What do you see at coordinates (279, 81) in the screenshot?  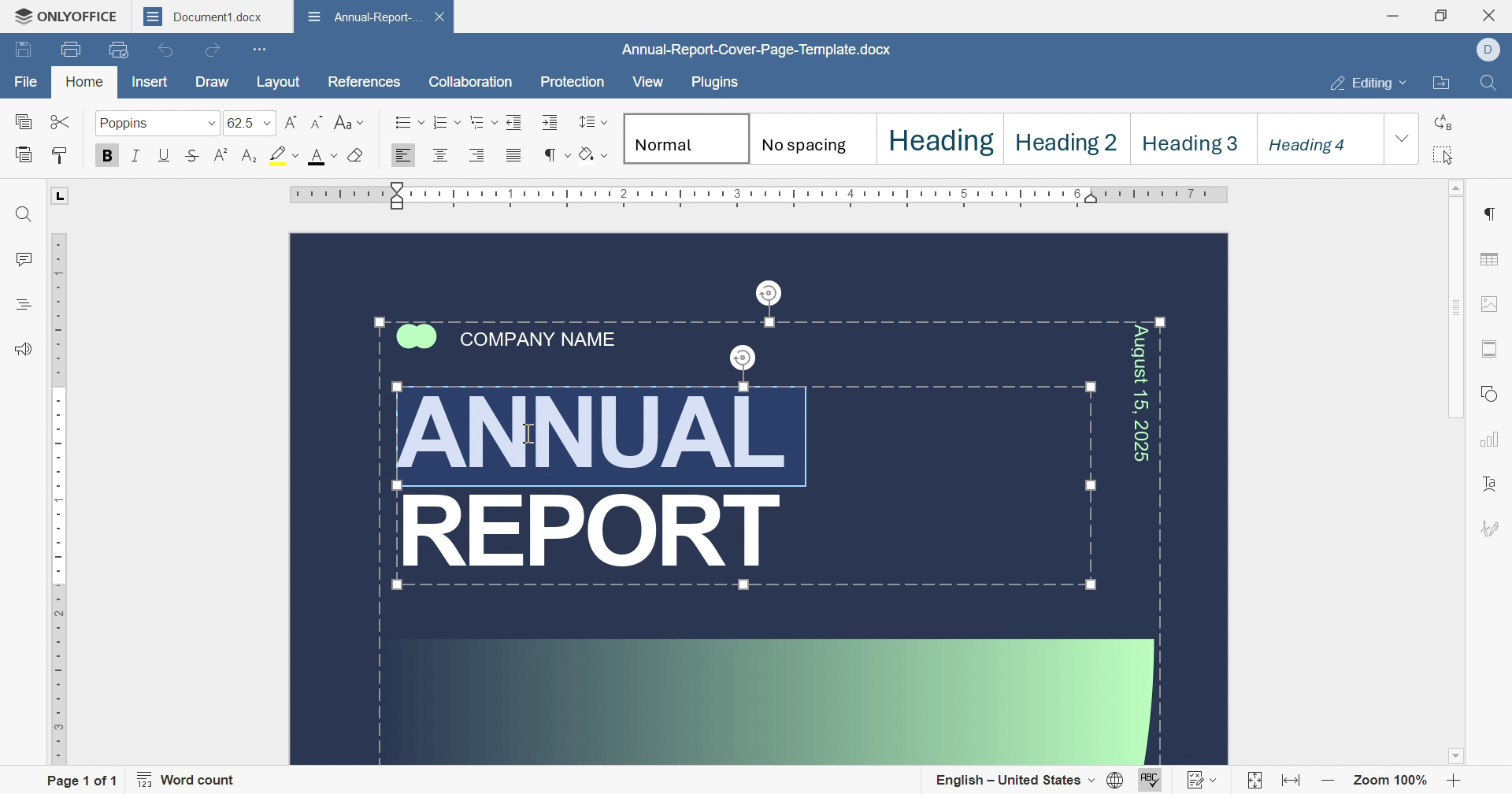 I see `layout` at bounding box center [279, 81].